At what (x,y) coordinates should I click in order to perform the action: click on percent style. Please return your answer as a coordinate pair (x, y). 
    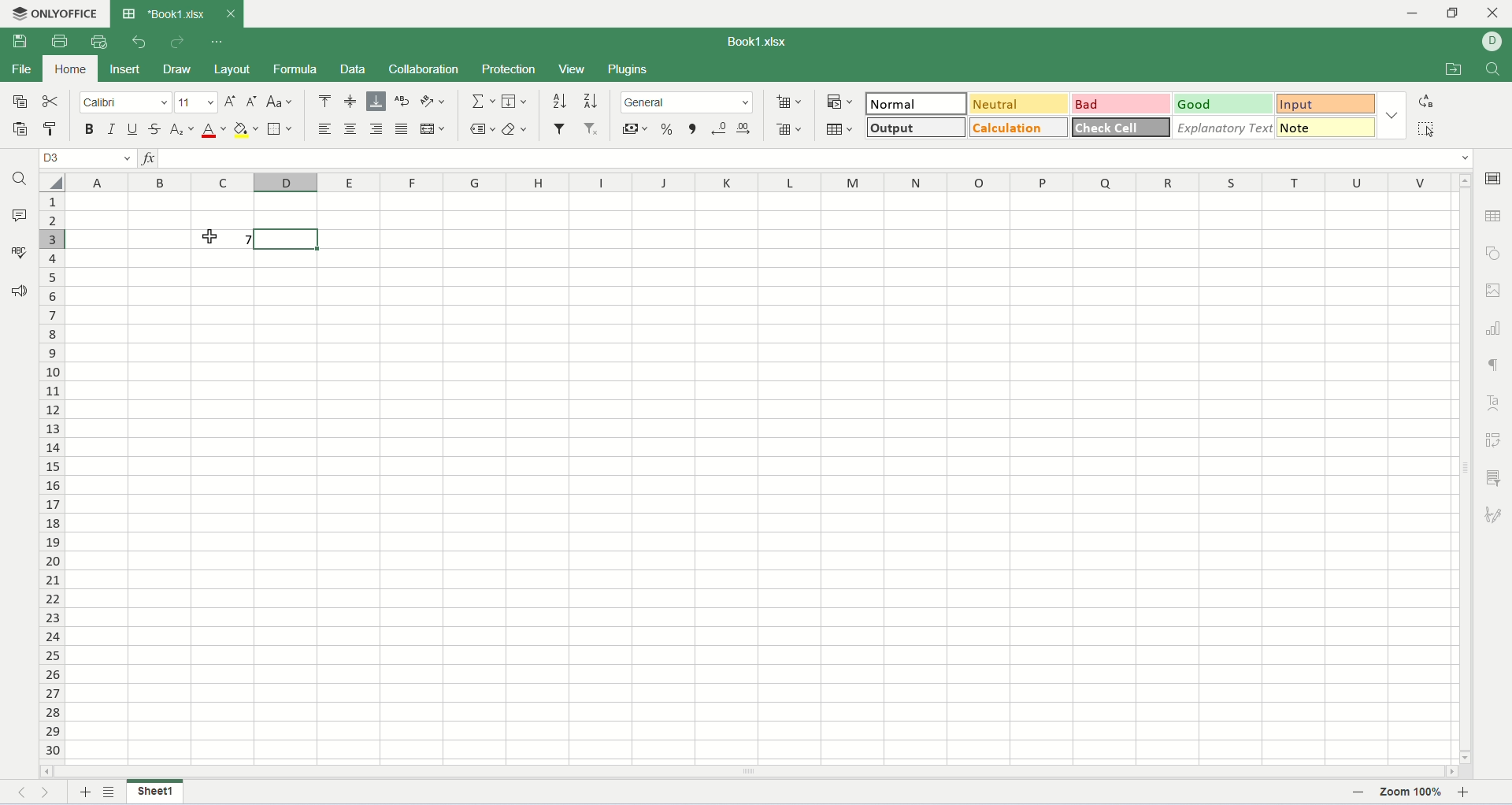
    Looking at the image, I should click on (669, 127).